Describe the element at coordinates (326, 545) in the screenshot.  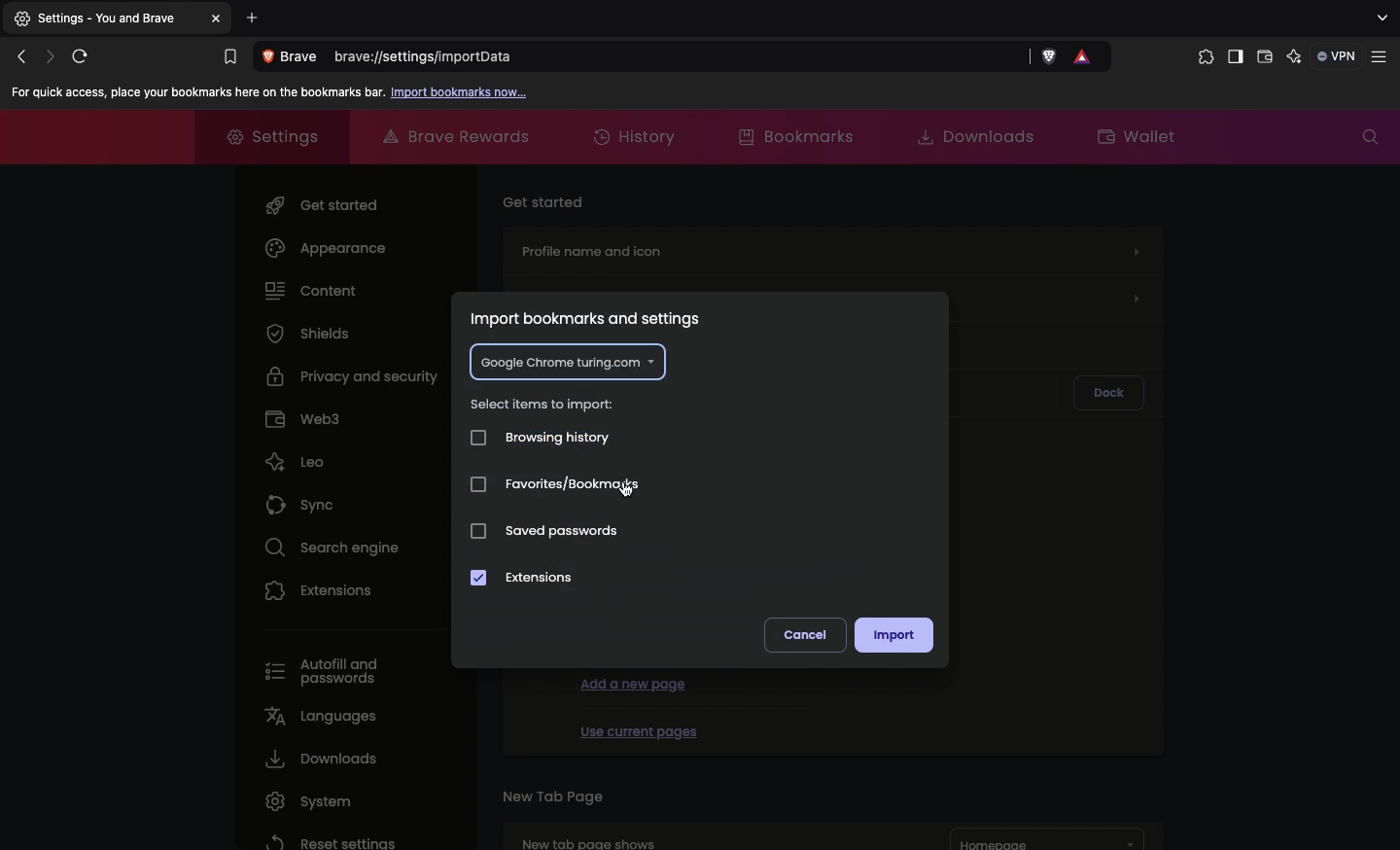
I see `Search engine` at that location.